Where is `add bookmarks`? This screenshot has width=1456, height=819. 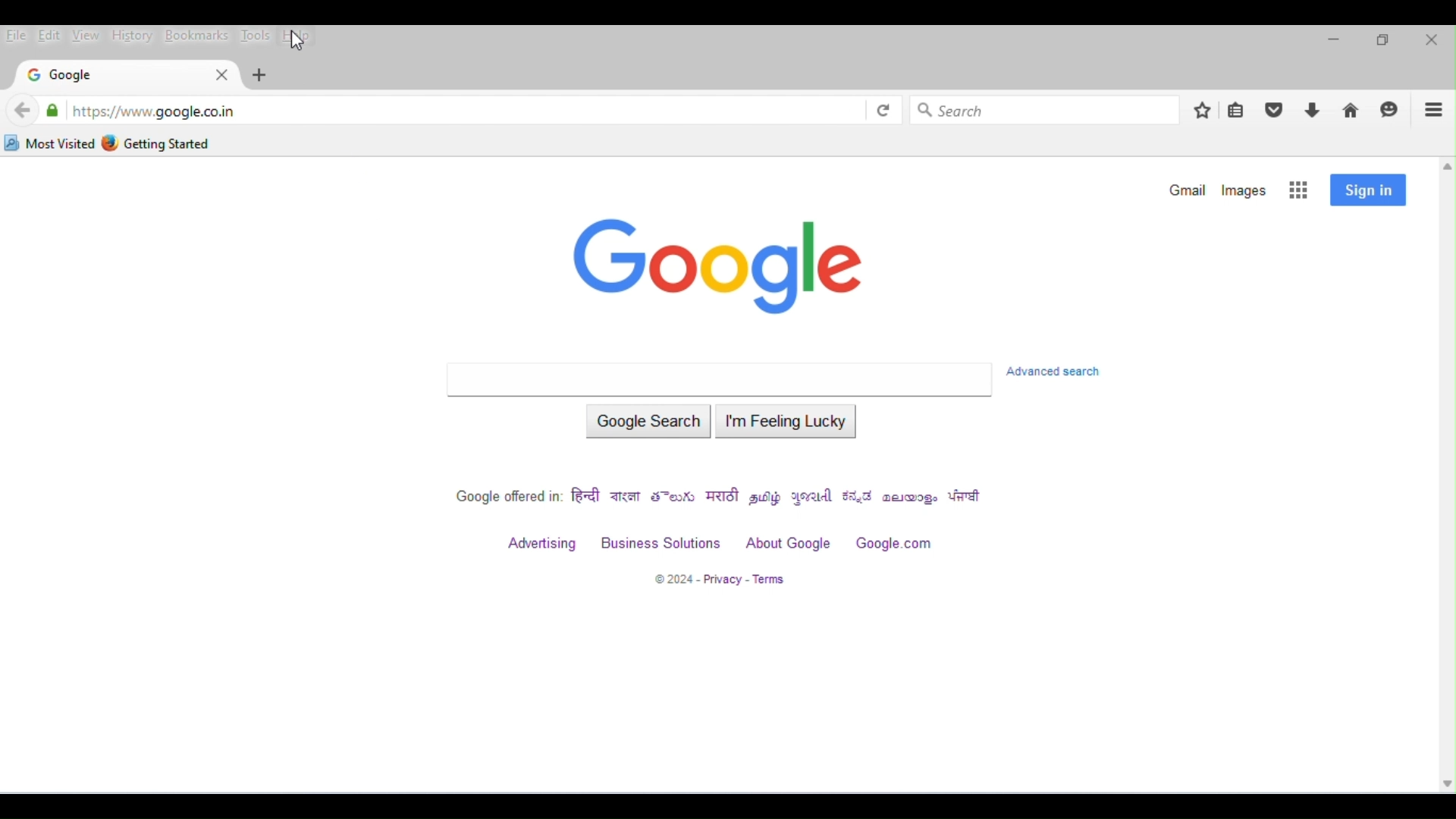
add bookmarks is located at coordinates (1202, 109).